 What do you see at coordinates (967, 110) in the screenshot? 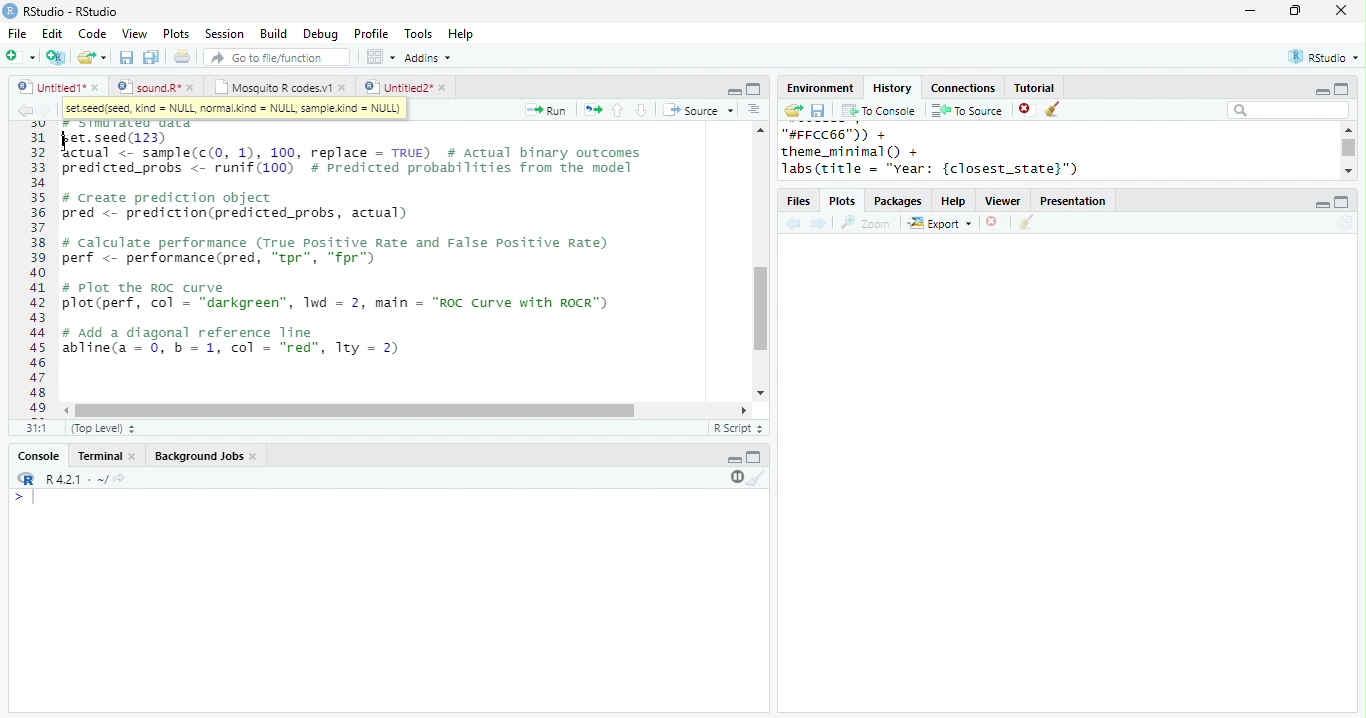
I see `To source` at bounding box center [967, 110].